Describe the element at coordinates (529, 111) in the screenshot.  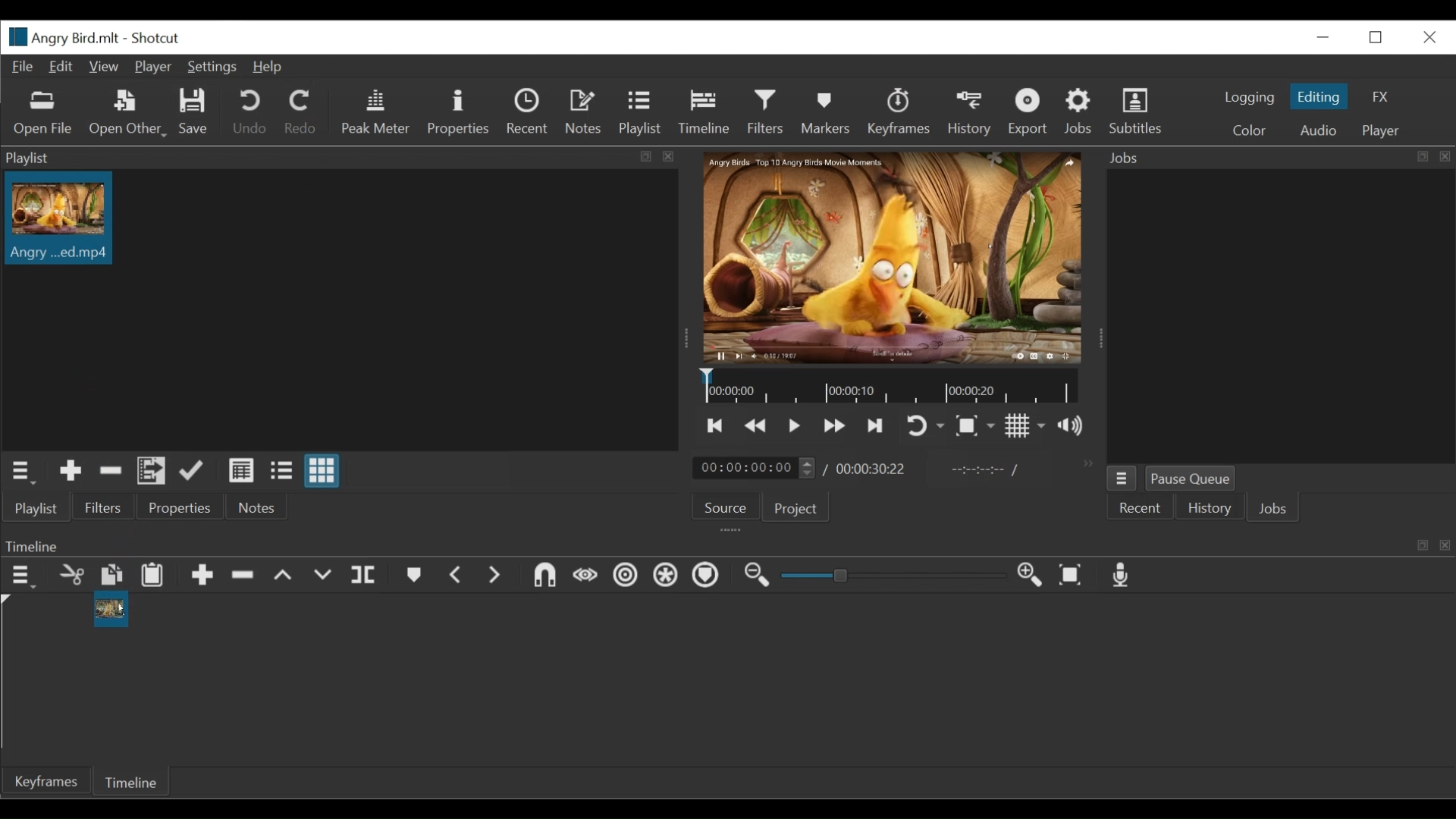
I see `Recent` at that location.